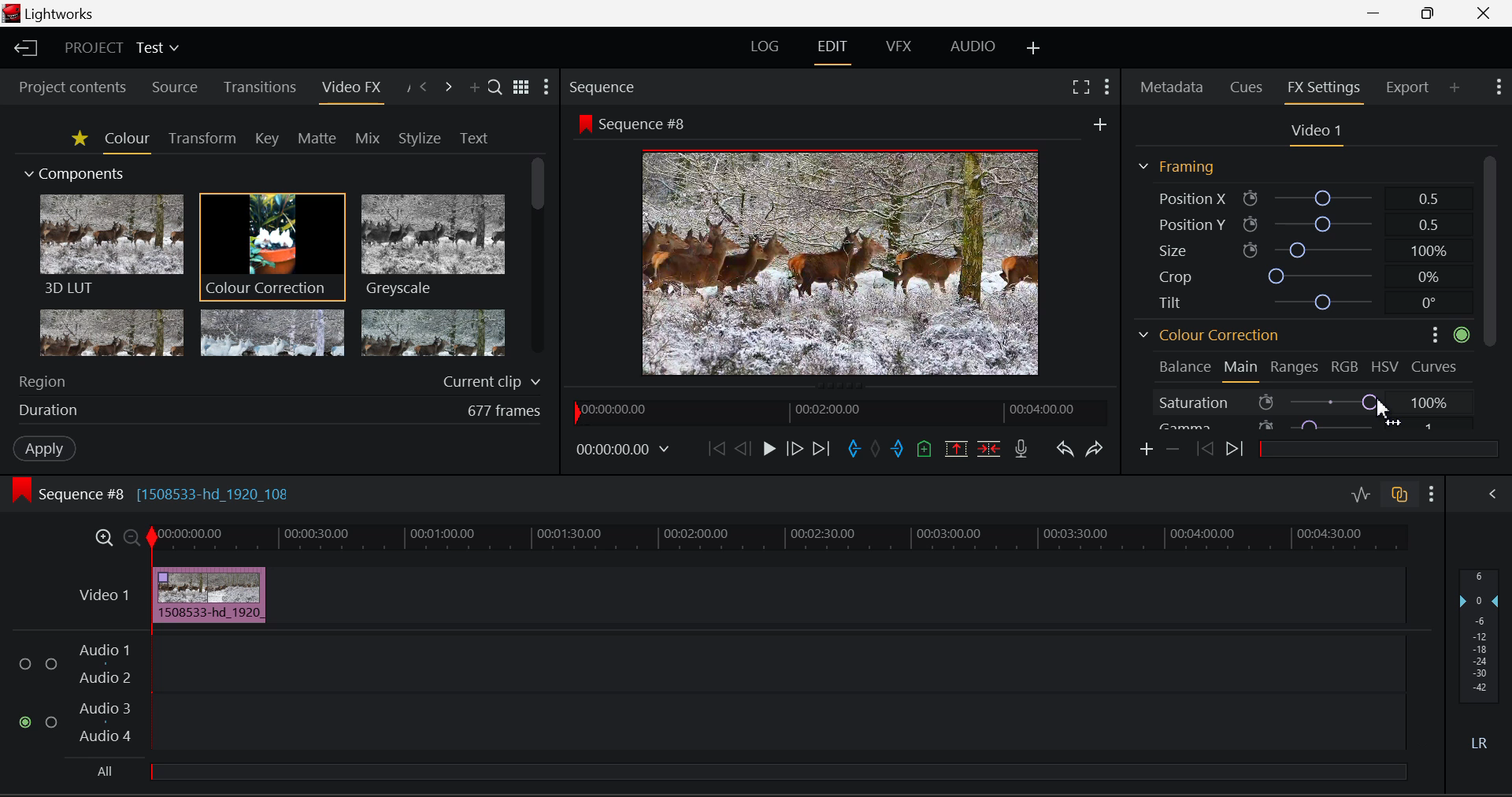 This screenshot has height=797, width=1512. Describe the element at coordinates (1299, 301) in the screenshot. I see `Tilt` at that location.